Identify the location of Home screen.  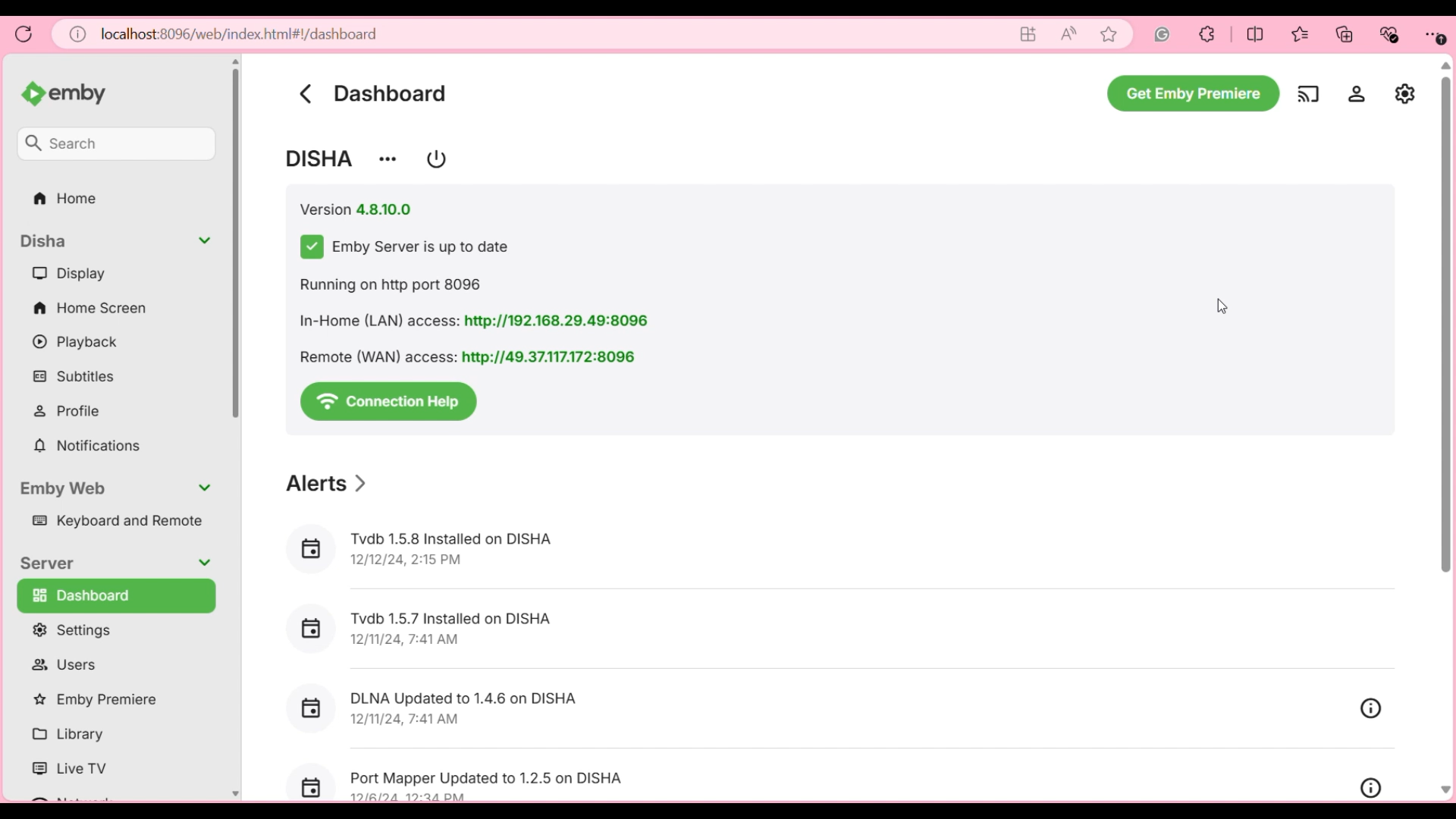
(111, 307).